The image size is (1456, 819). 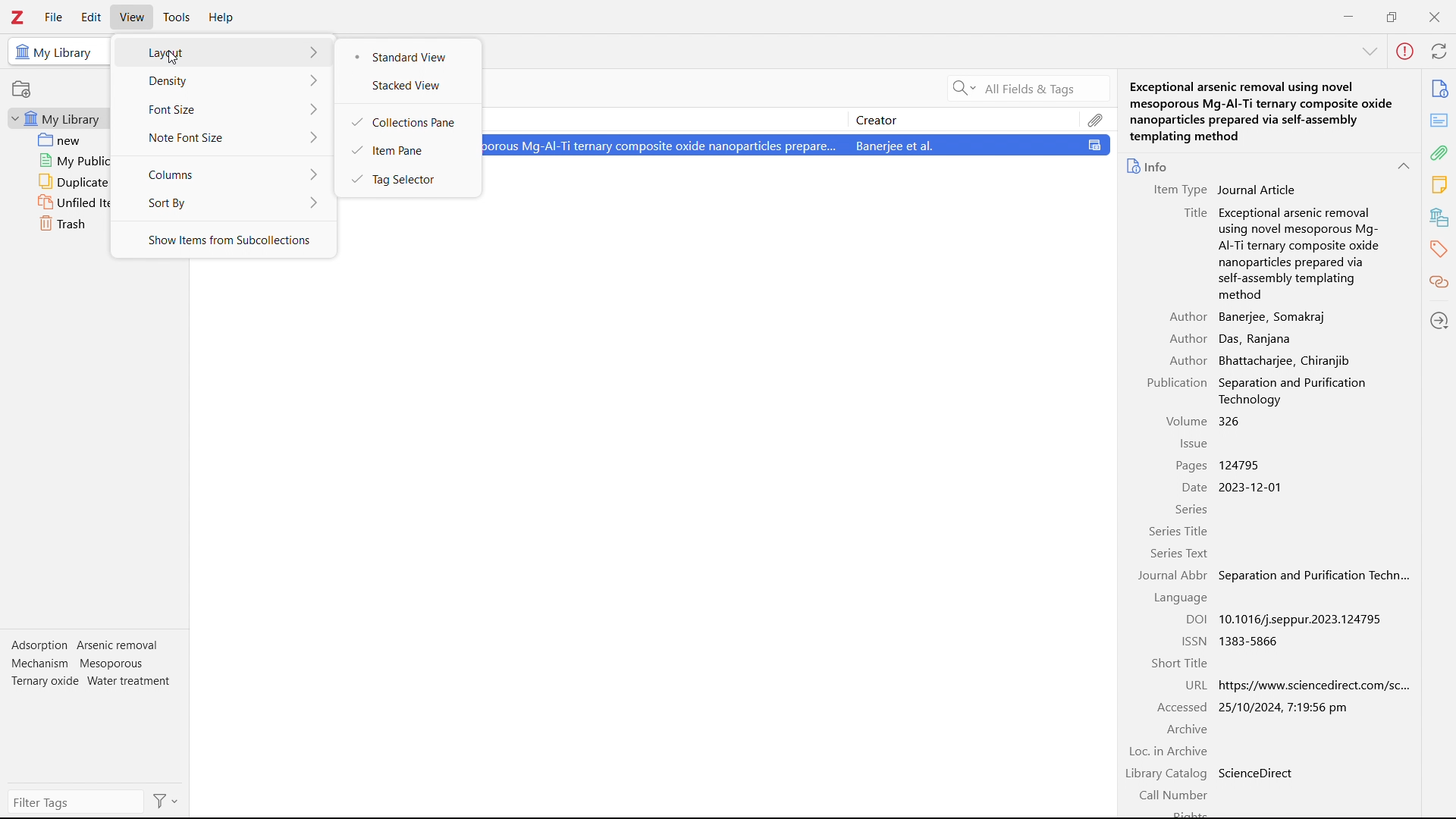 I want to click on Series Text, so click(x=1180, y=554).